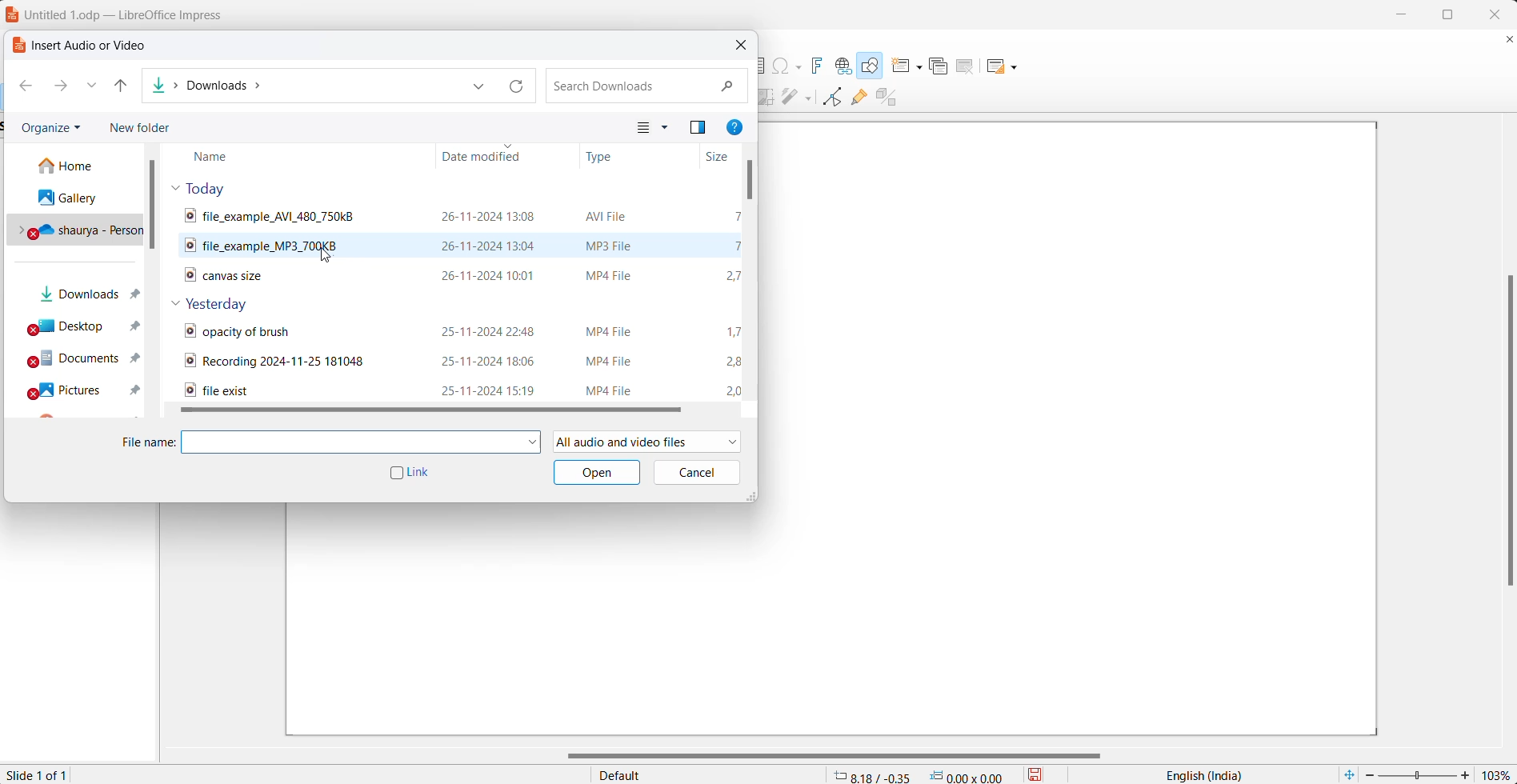 This screenshot has height=784, width=1517. What do you see at coordinates (611, 216) in the screenshot?
I see `video file format` at bounding box center [611, 216].